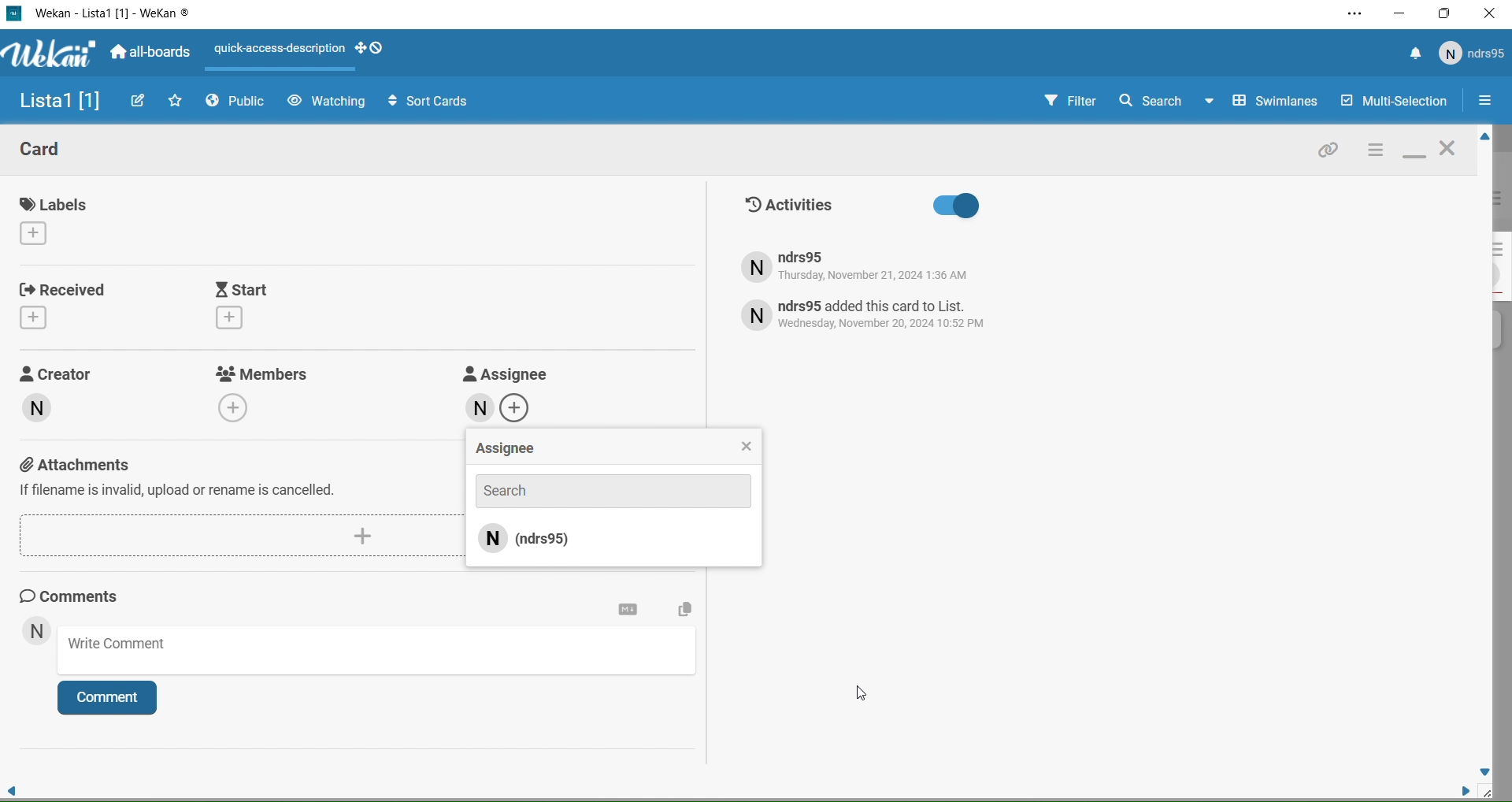 Image resolution: width=1512 pixels, height=802 pixels. What do you see at coordinates (1446, 13) in the screenshot?
I see `Box` at bounding box center [1446, 13].